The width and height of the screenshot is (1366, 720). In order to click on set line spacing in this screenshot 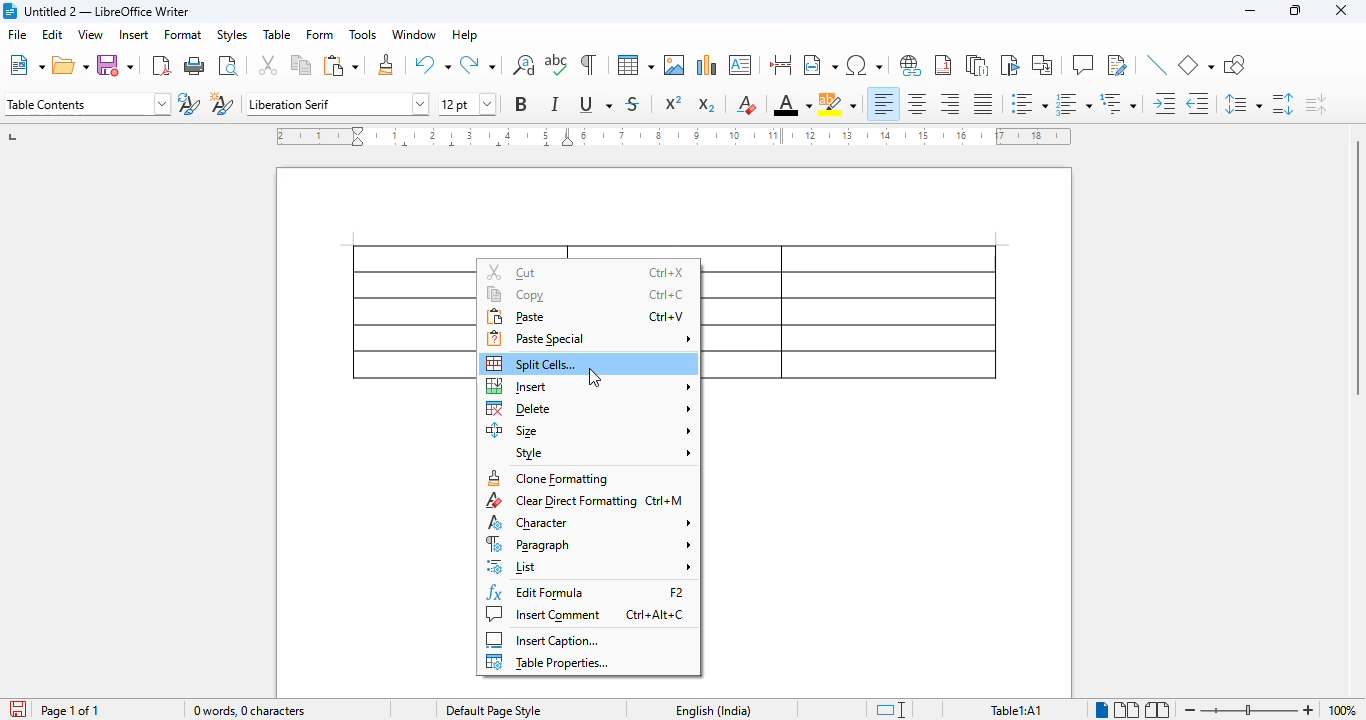, I will do `click(1242, 104)`.